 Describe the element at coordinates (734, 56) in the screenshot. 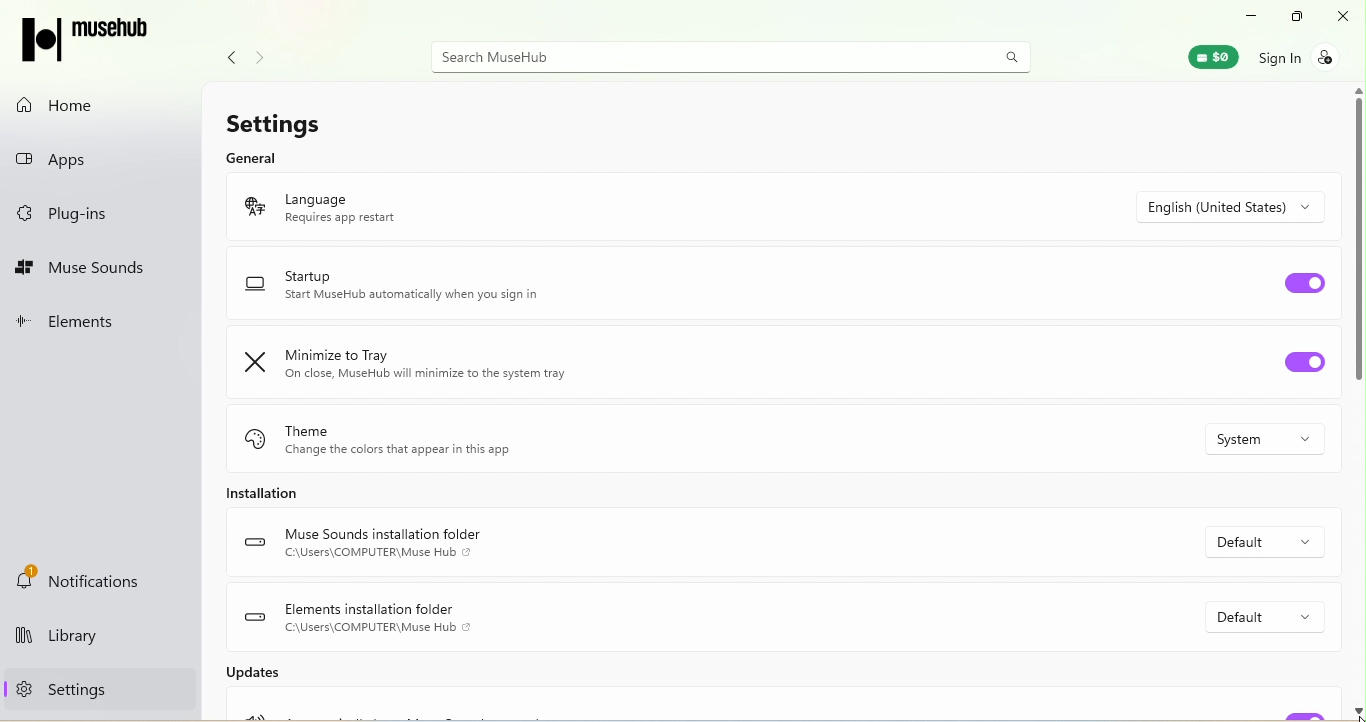

I see `Search bar` at that location.